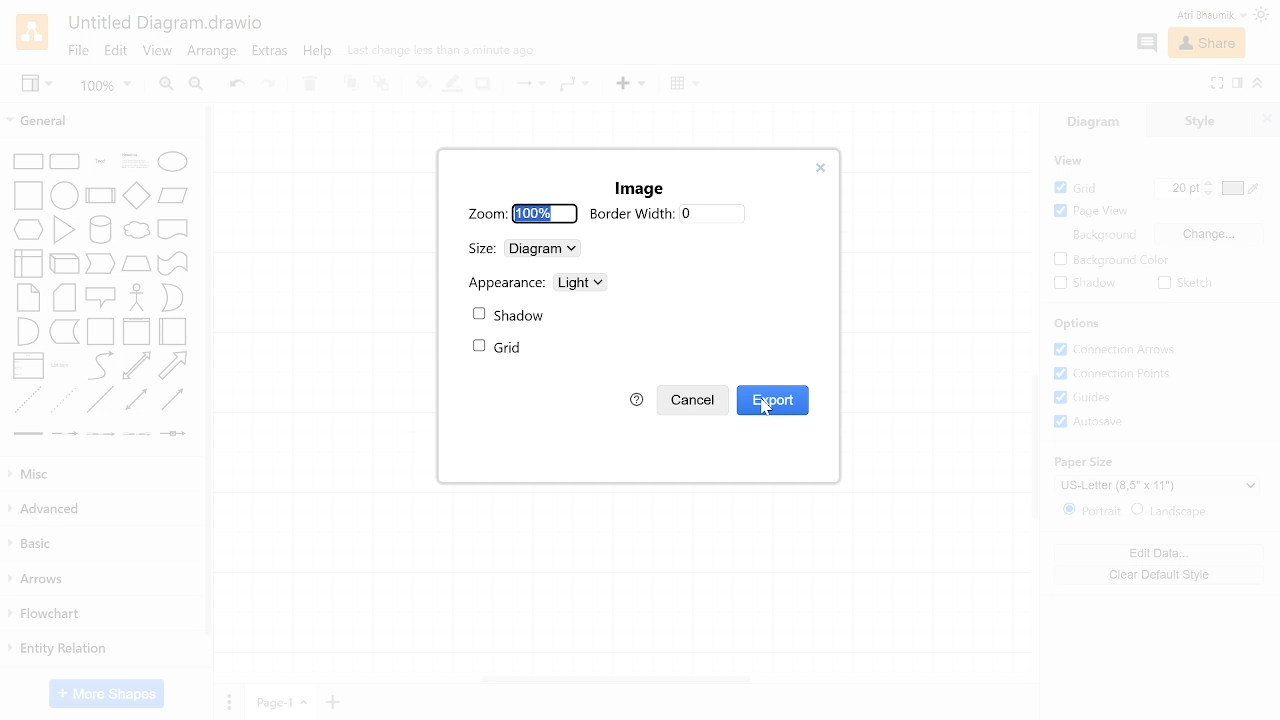 The width and height of the screenshot is (1280, 720). I want to click on background color, so click(1110, 261).